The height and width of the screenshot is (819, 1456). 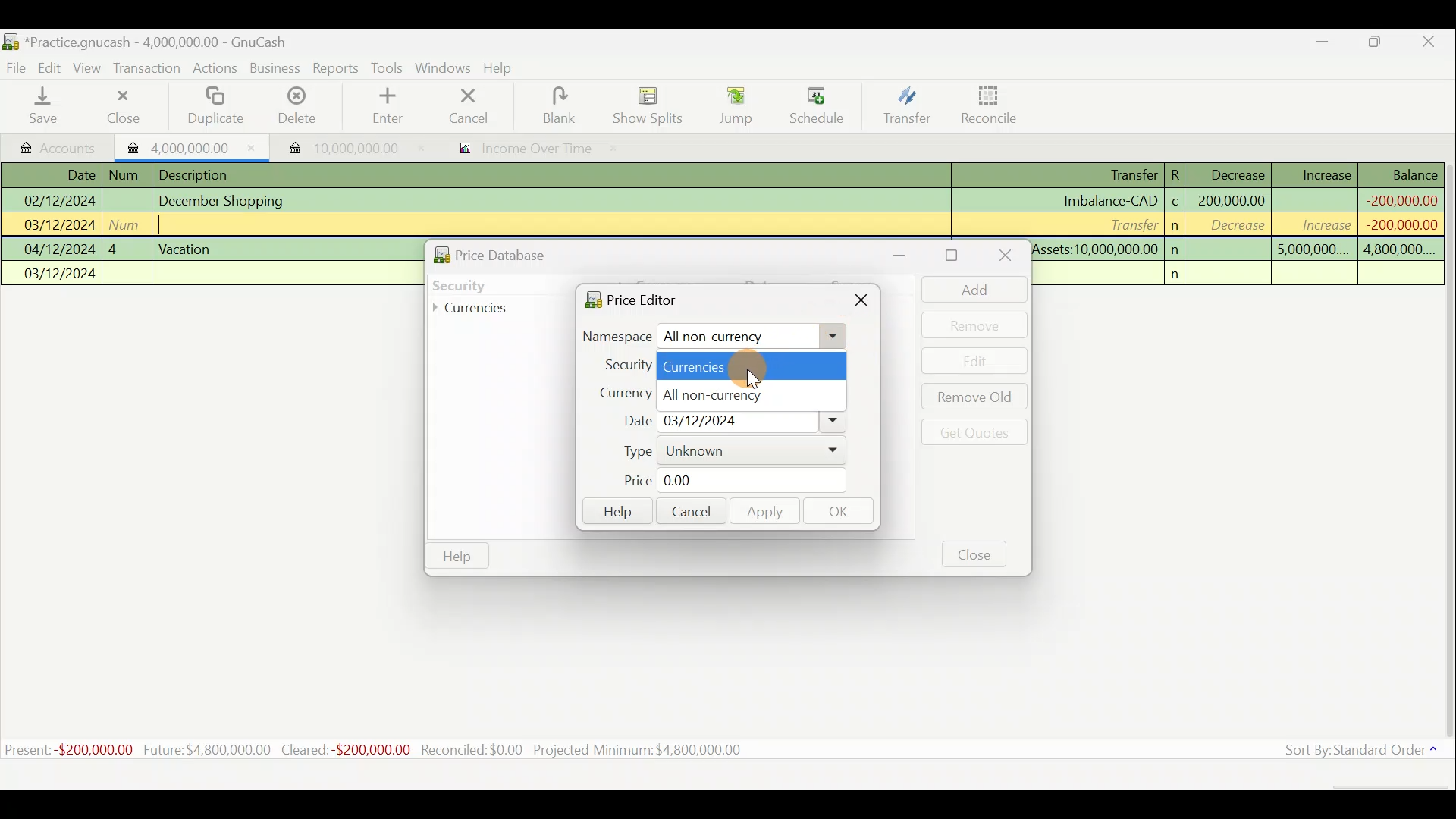 I want to click on Apply, so click(x=765, y=513).